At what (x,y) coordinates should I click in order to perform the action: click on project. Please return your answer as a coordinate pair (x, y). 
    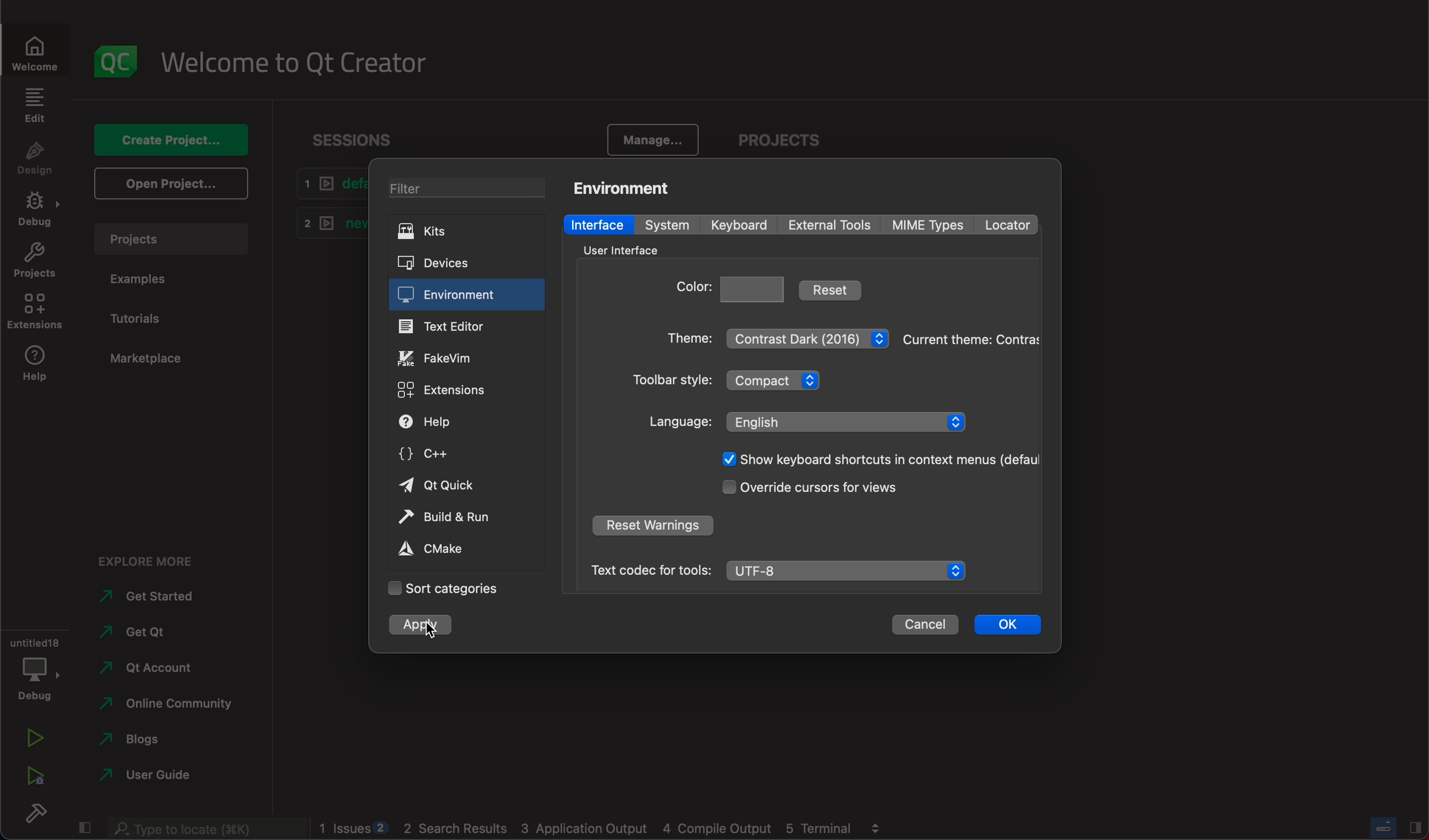
    Looking at the image, I should click on (173, 243).